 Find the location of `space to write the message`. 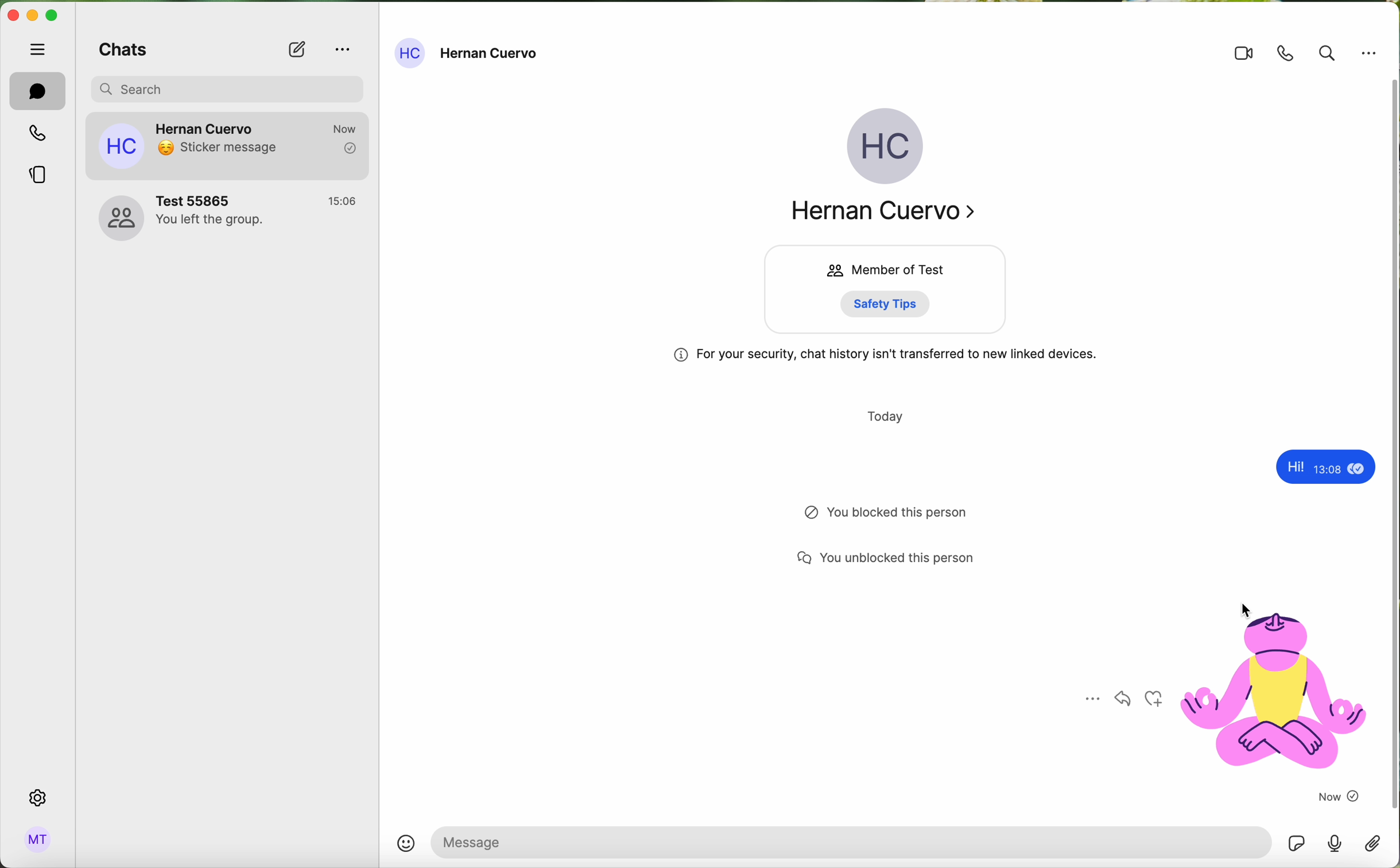

space to write the message is located at coordinates (852, 842).